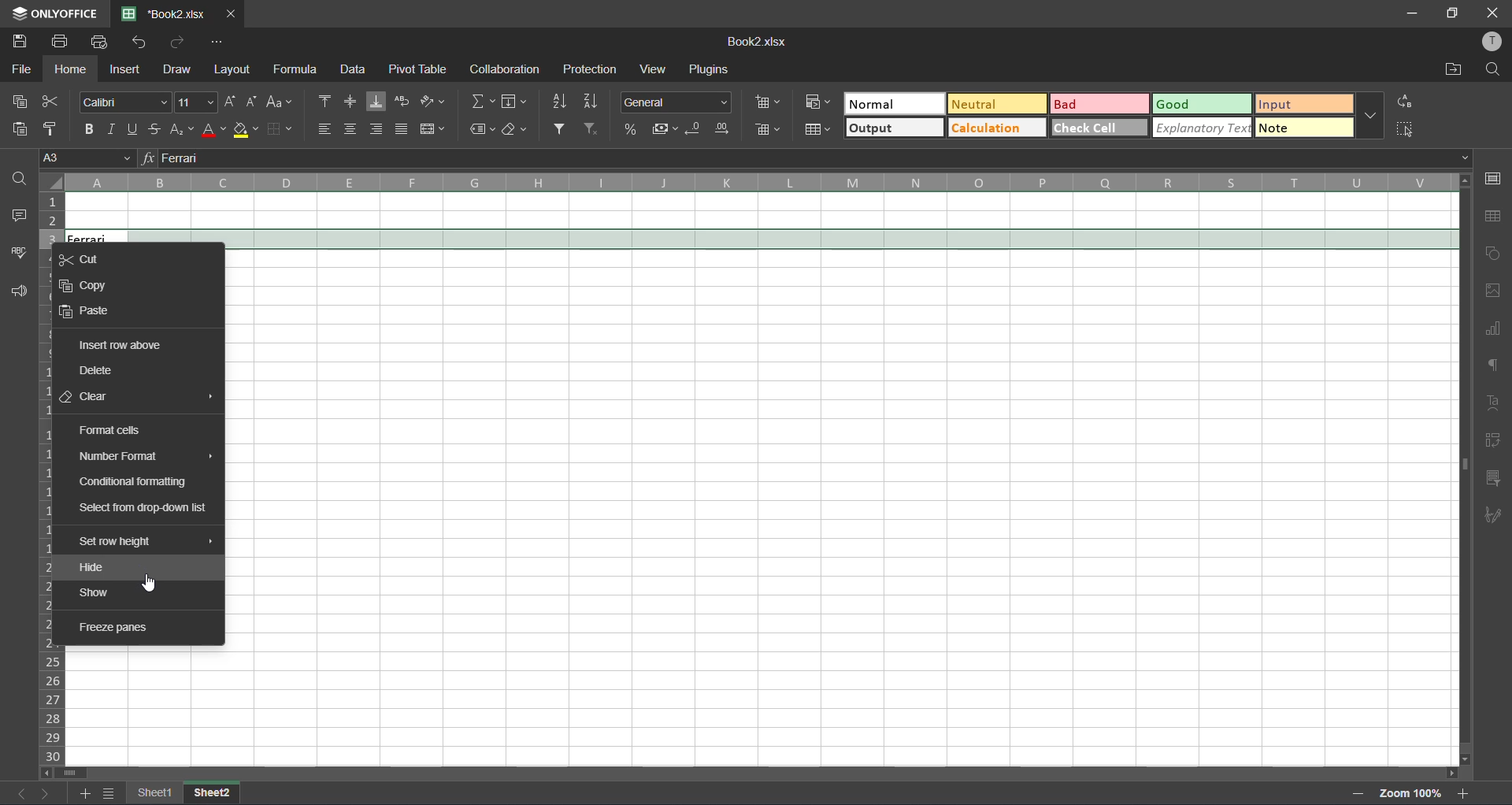 The width and height of the screenshot is (1512, 805). What do you see at coordinates (502, 70) in the screenshot?
I see `collaboration` at bounding box center [502, 70].